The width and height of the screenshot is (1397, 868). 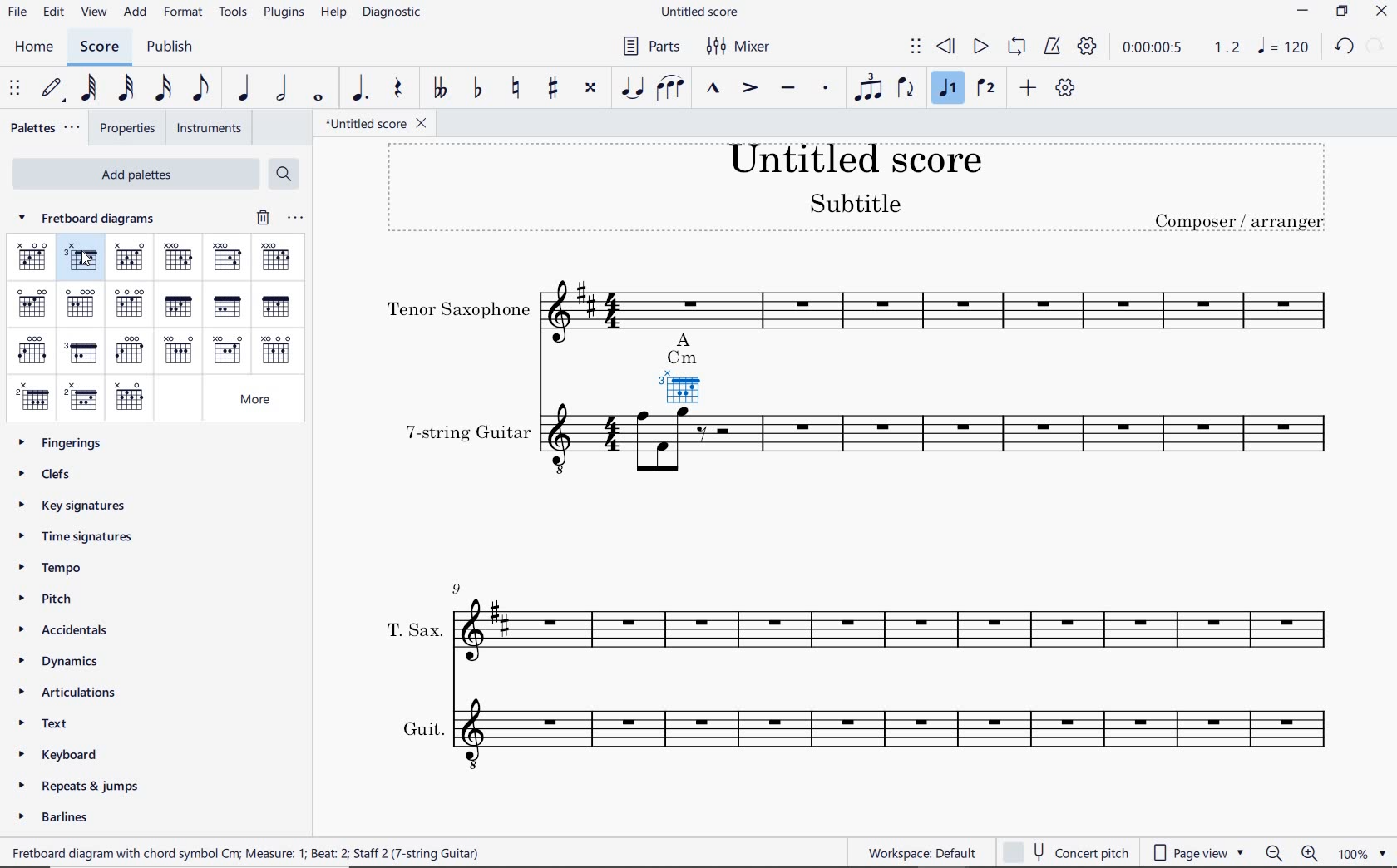 What do you see at coordinates (280, 89) in the screenshot?
I see `HALF NOTE` at bounding box center [280, 89].